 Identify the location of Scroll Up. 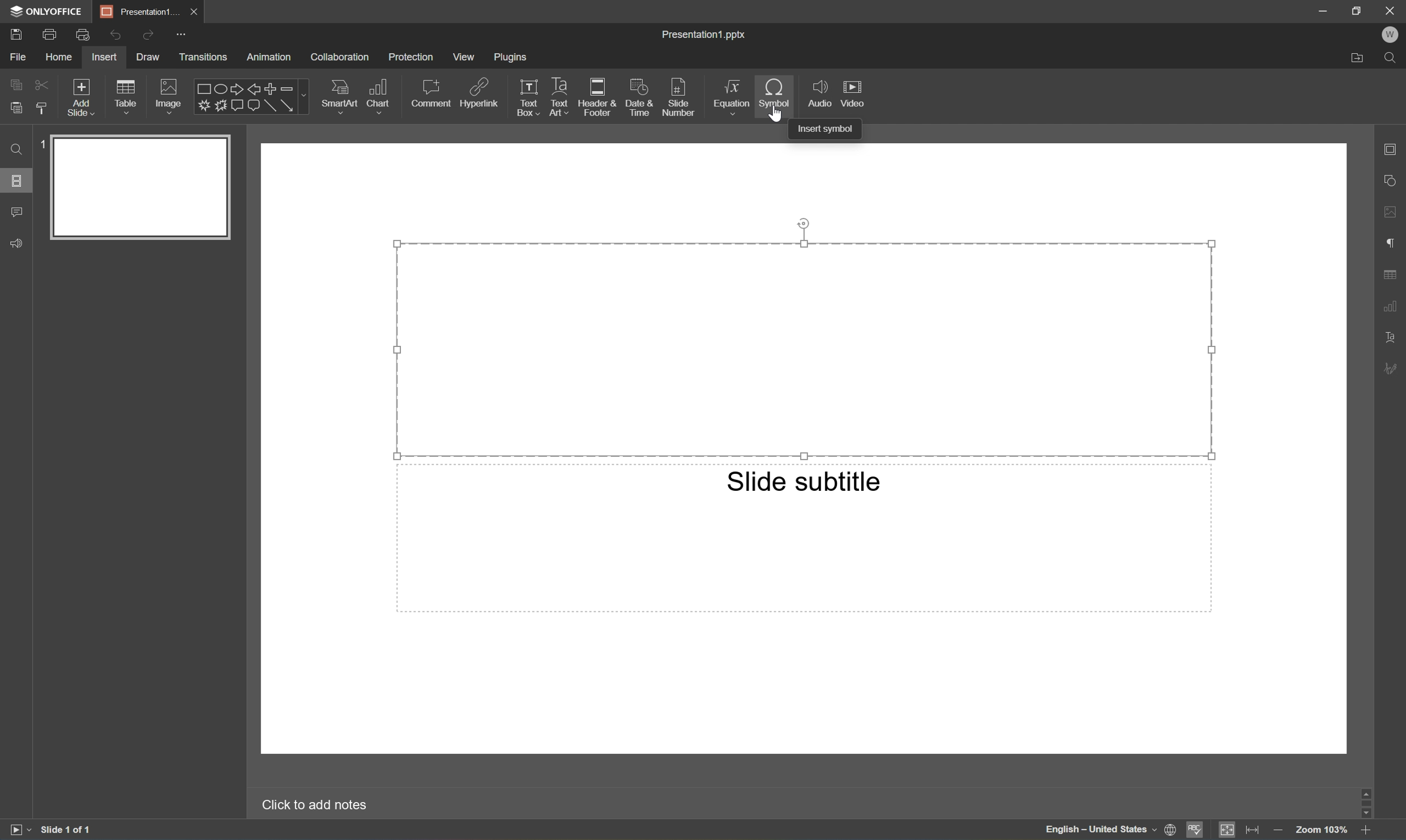
(1363, 790).